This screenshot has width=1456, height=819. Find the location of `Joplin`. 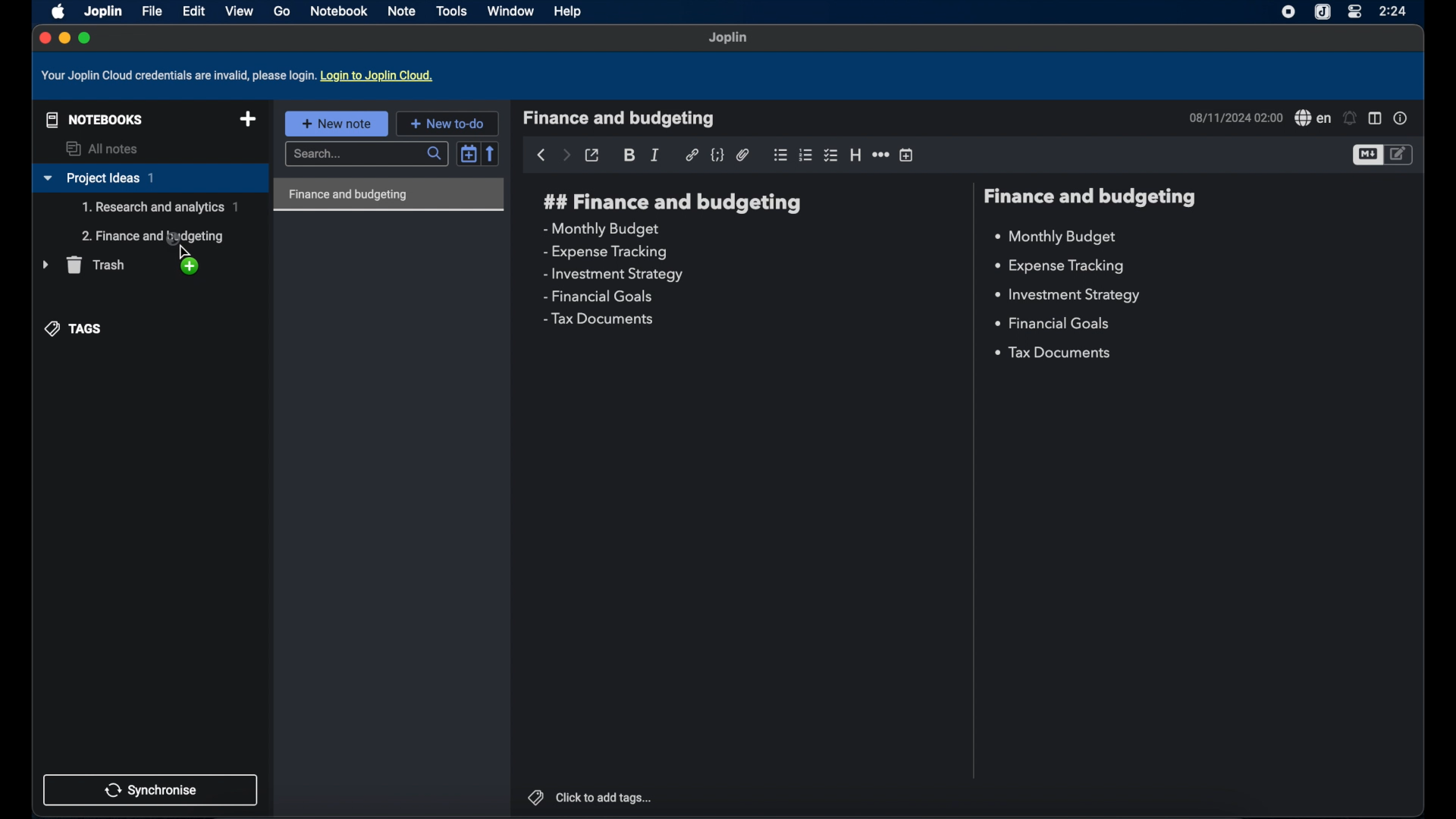

Joplin is located at coordinates (729, 39).